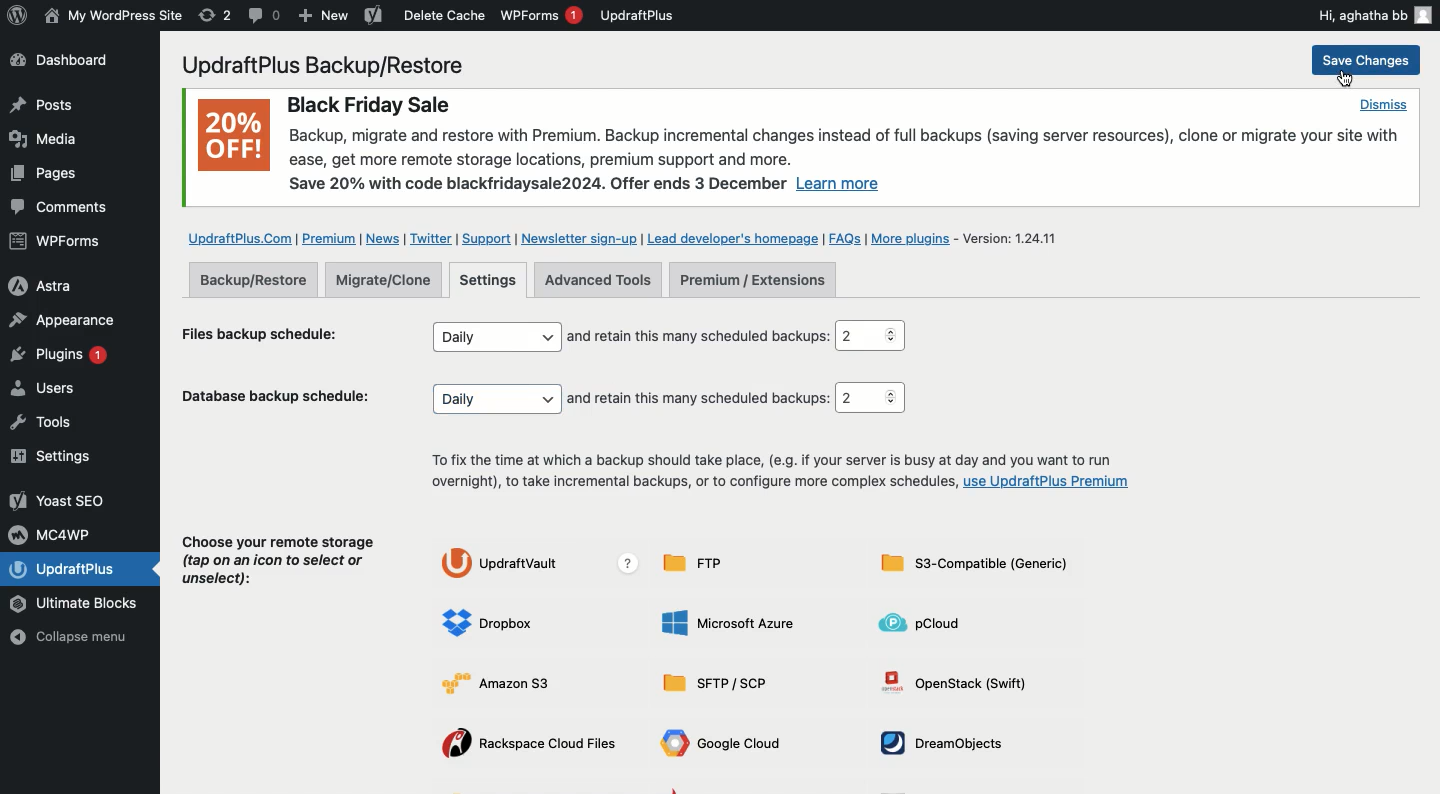  I want to click on WordPress Site, so click(111, 16).